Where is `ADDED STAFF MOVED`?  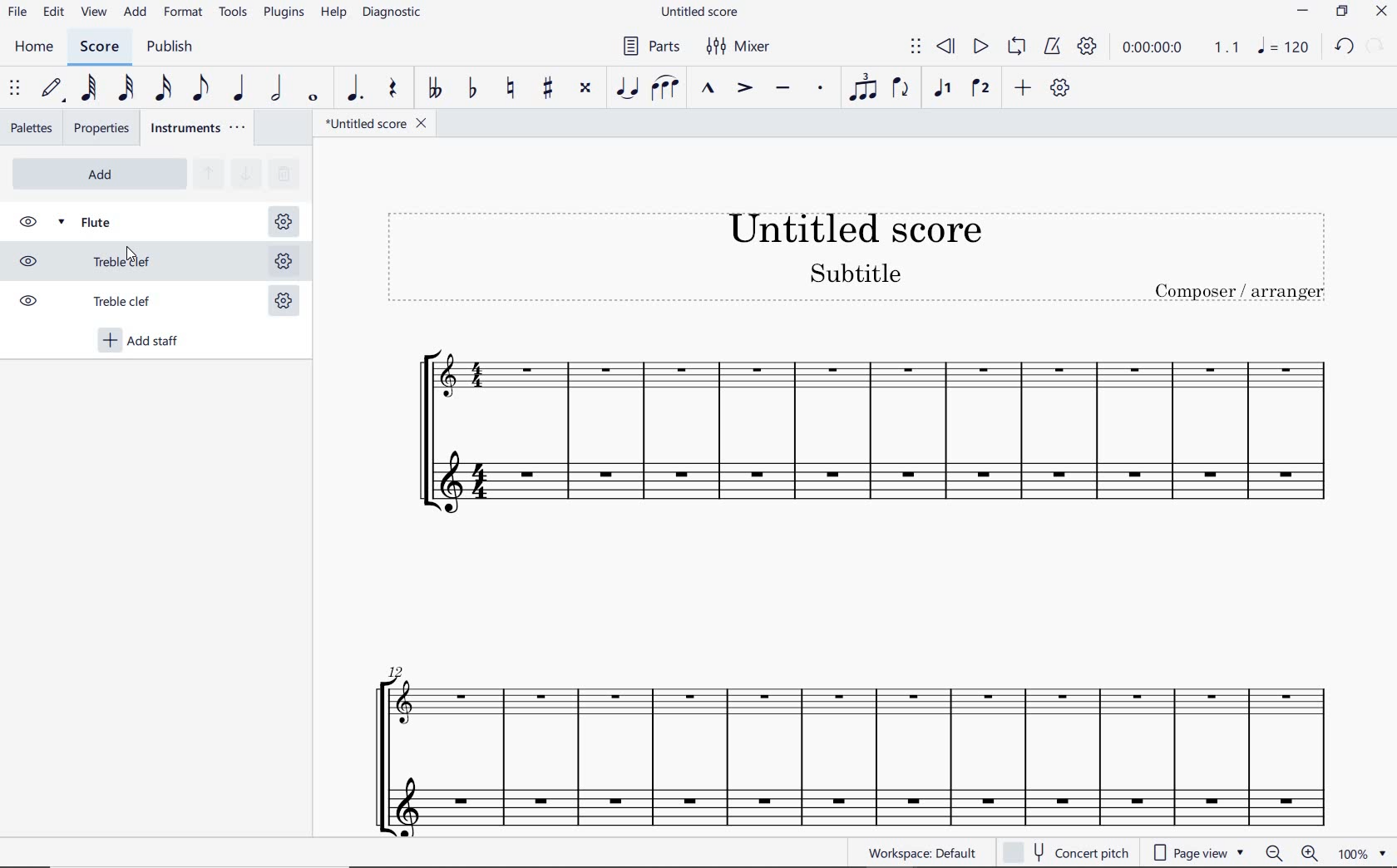 ADDED STAFF MOVED is located at coordinates (132, 260).